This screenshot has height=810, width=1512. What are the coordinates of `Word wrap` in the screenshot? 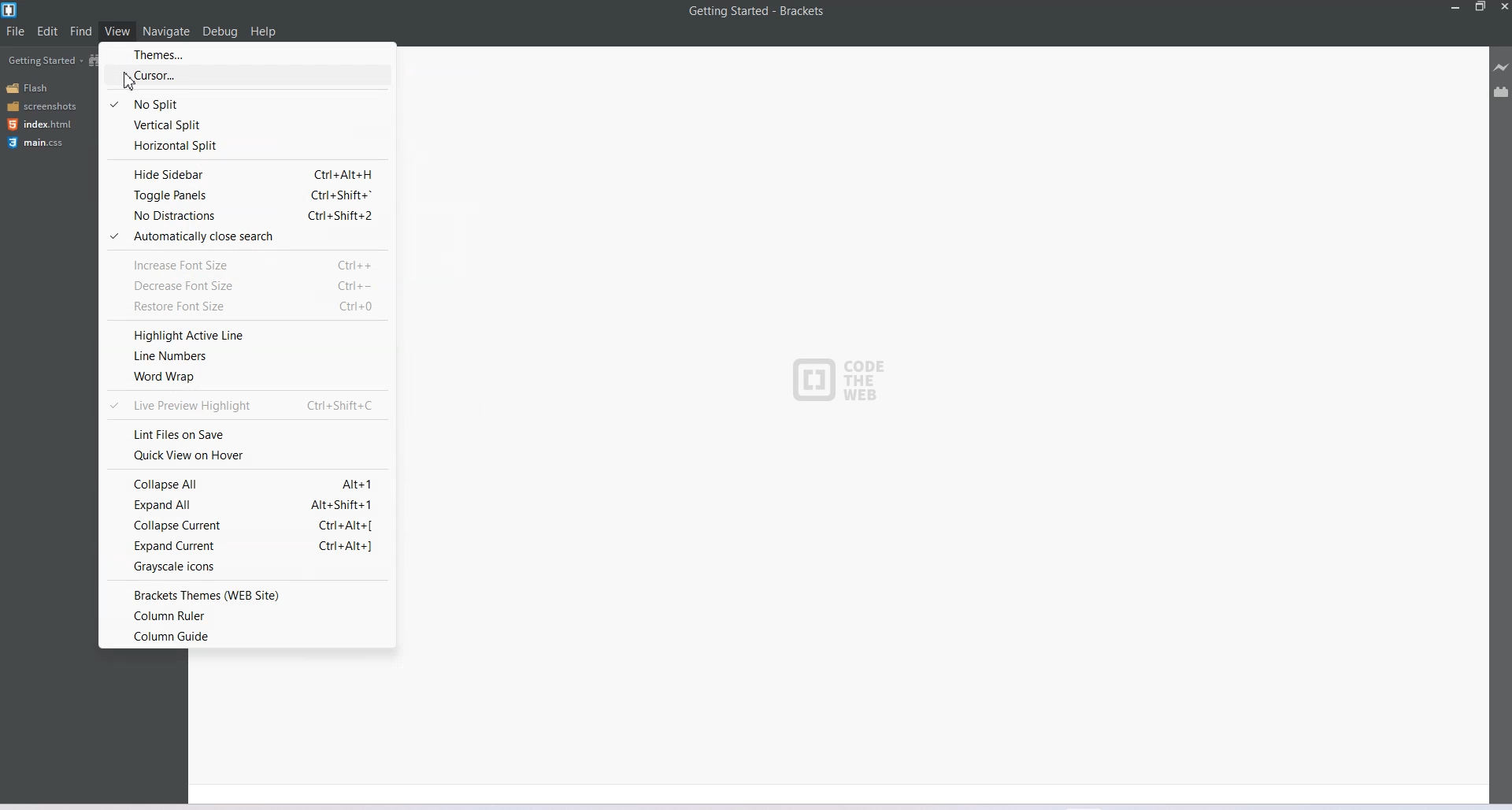 It's located at (244, 378).